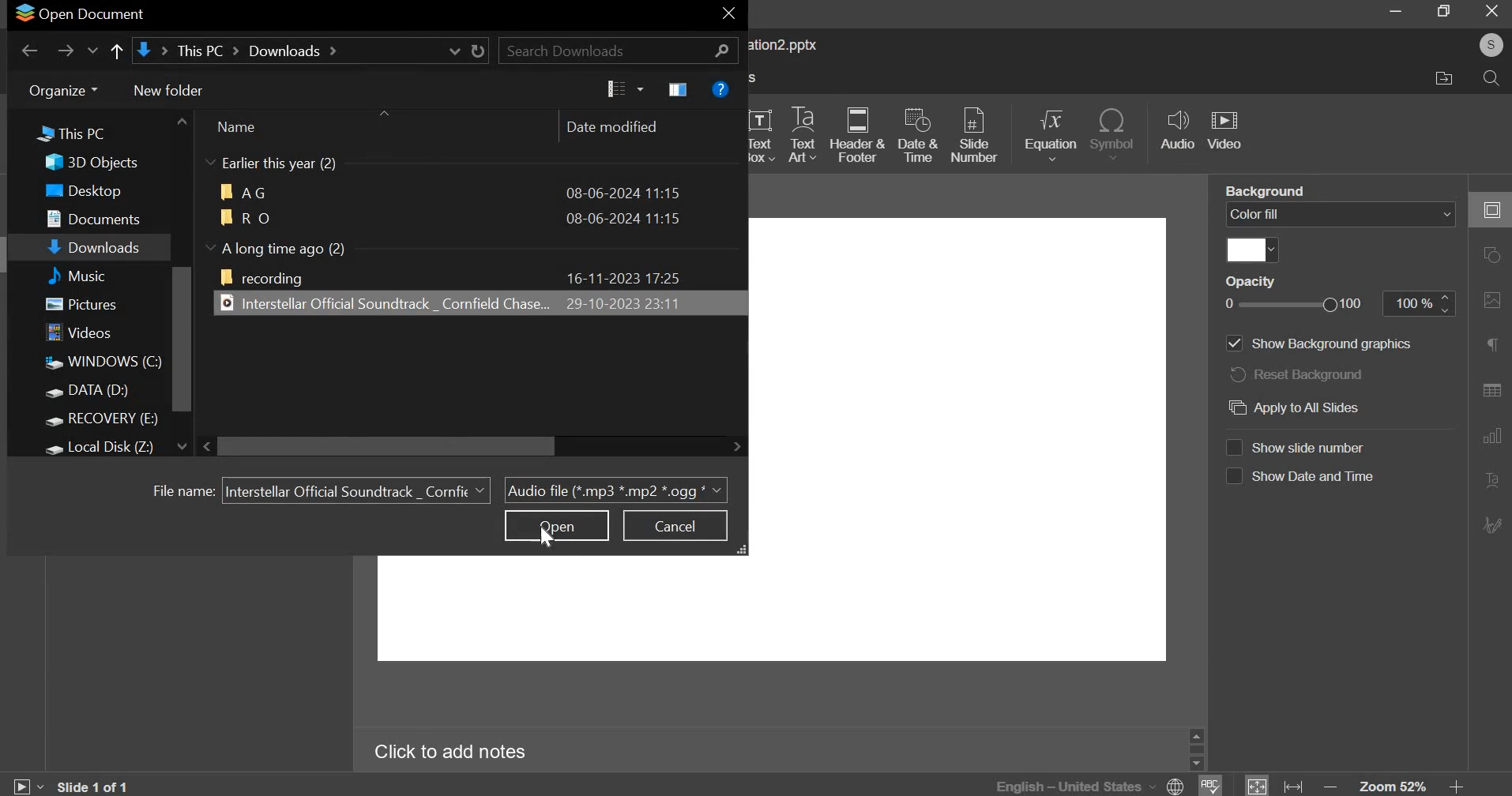  Describe the element at coordinates (624, 191) in the screenshot. I see `creation date` at that location.